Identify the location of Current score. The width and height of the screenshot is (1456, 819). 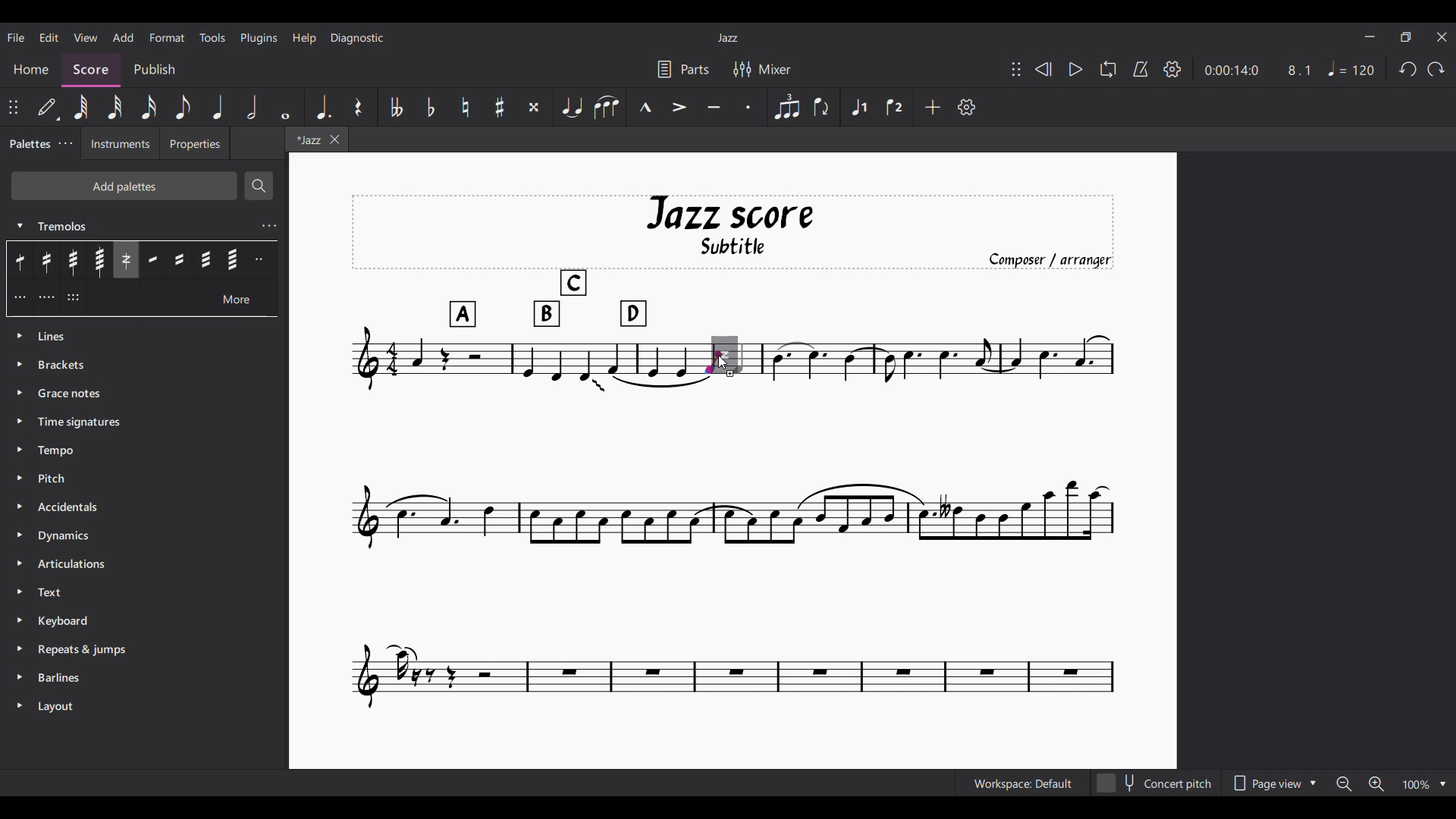
(928, 356).